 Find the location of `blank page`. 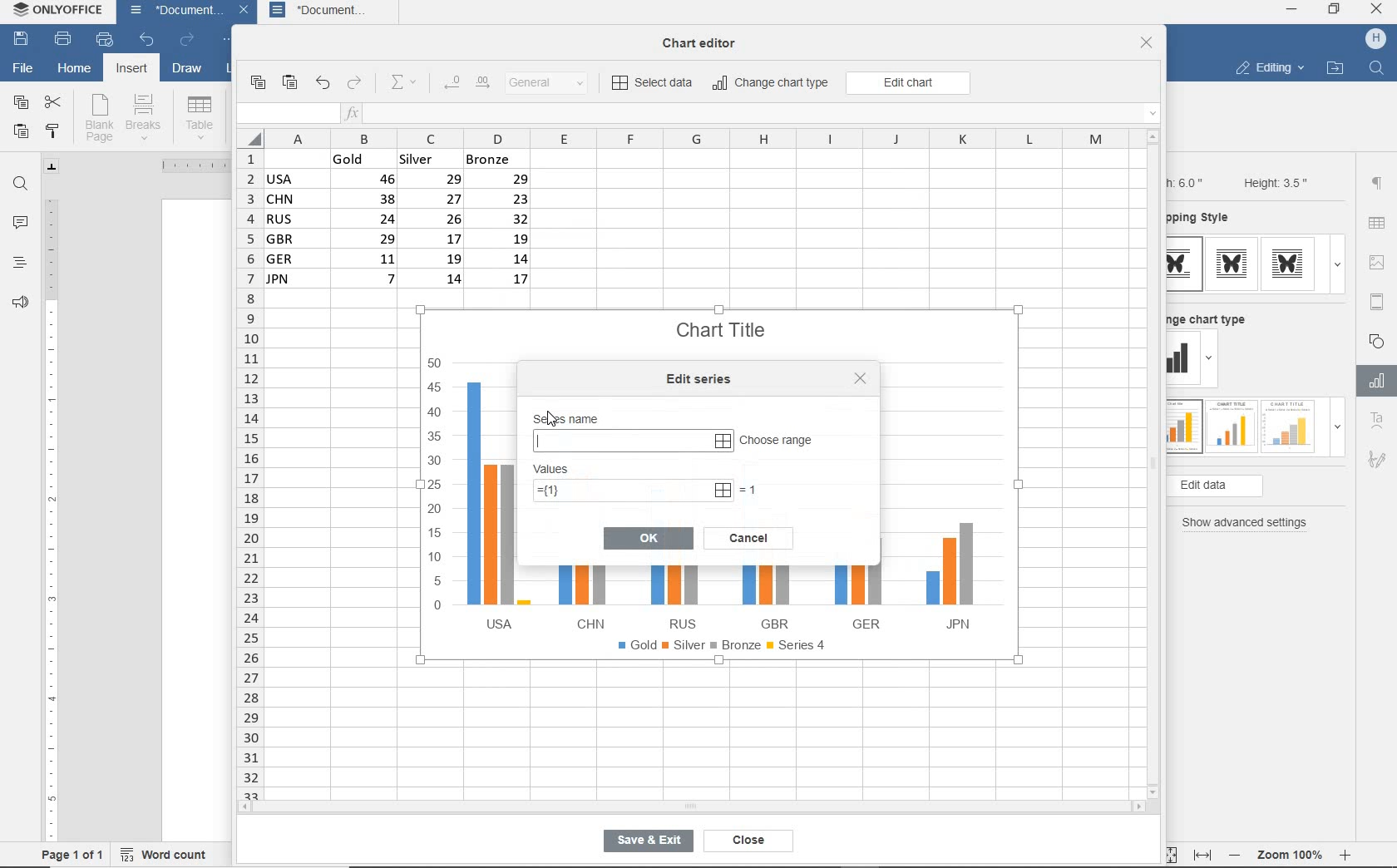

blank page is located at coordinates (99, 118).